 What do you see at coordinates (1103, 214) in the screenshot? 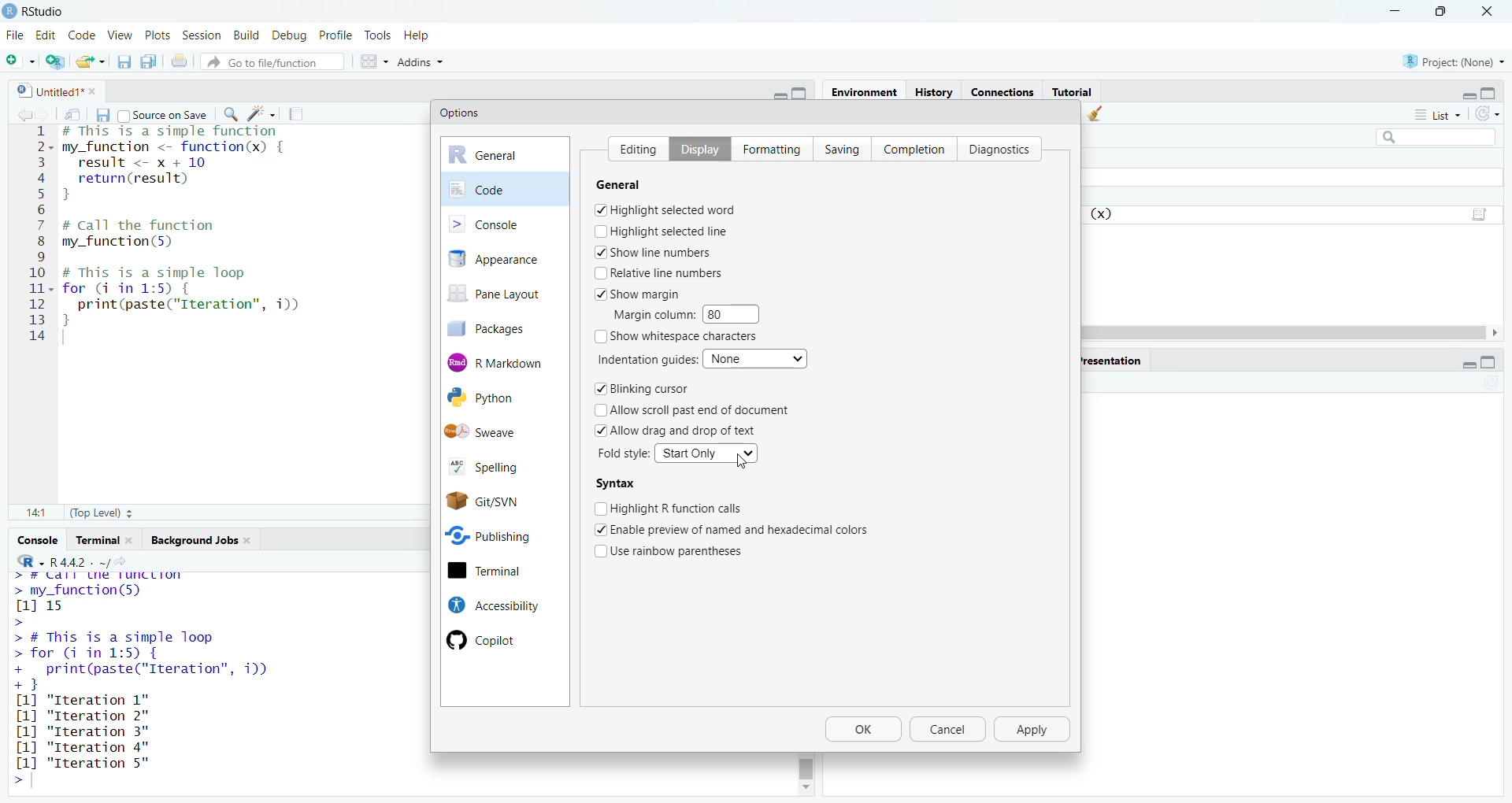
I see `function (x)` at bounding box center [1103, 214].